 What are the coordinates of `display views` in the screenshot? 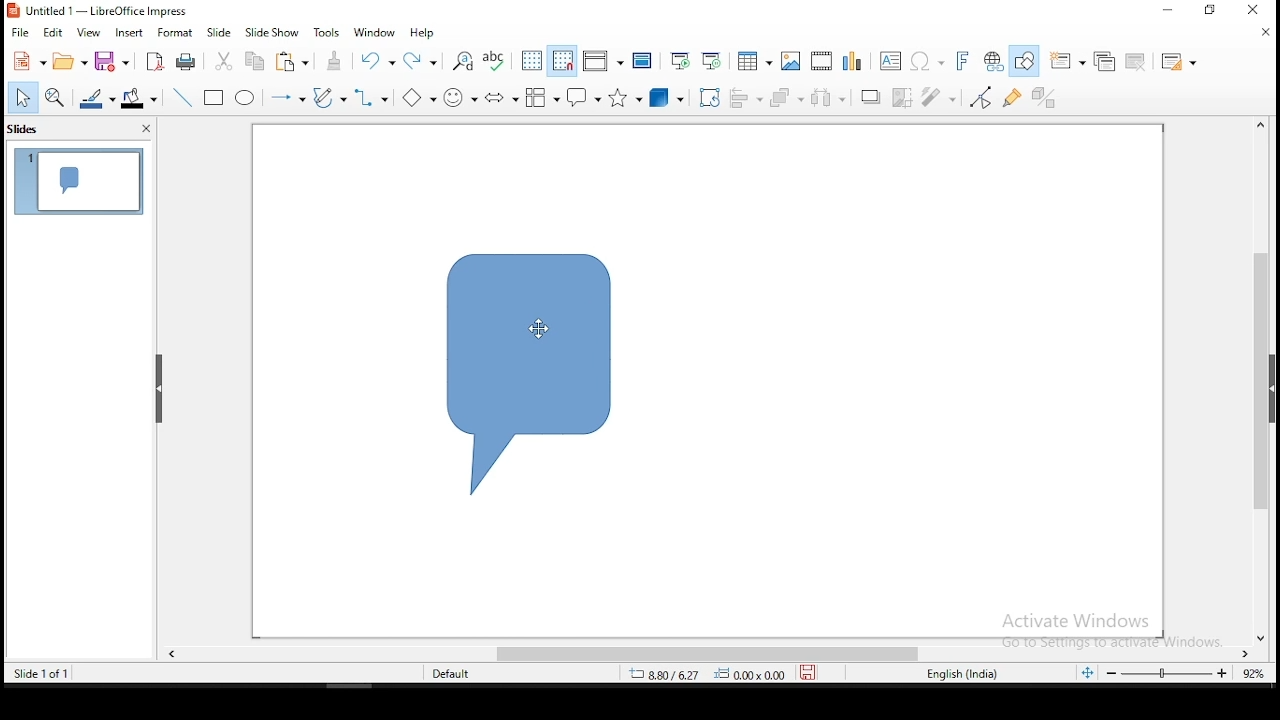 It's located at (603, 59).